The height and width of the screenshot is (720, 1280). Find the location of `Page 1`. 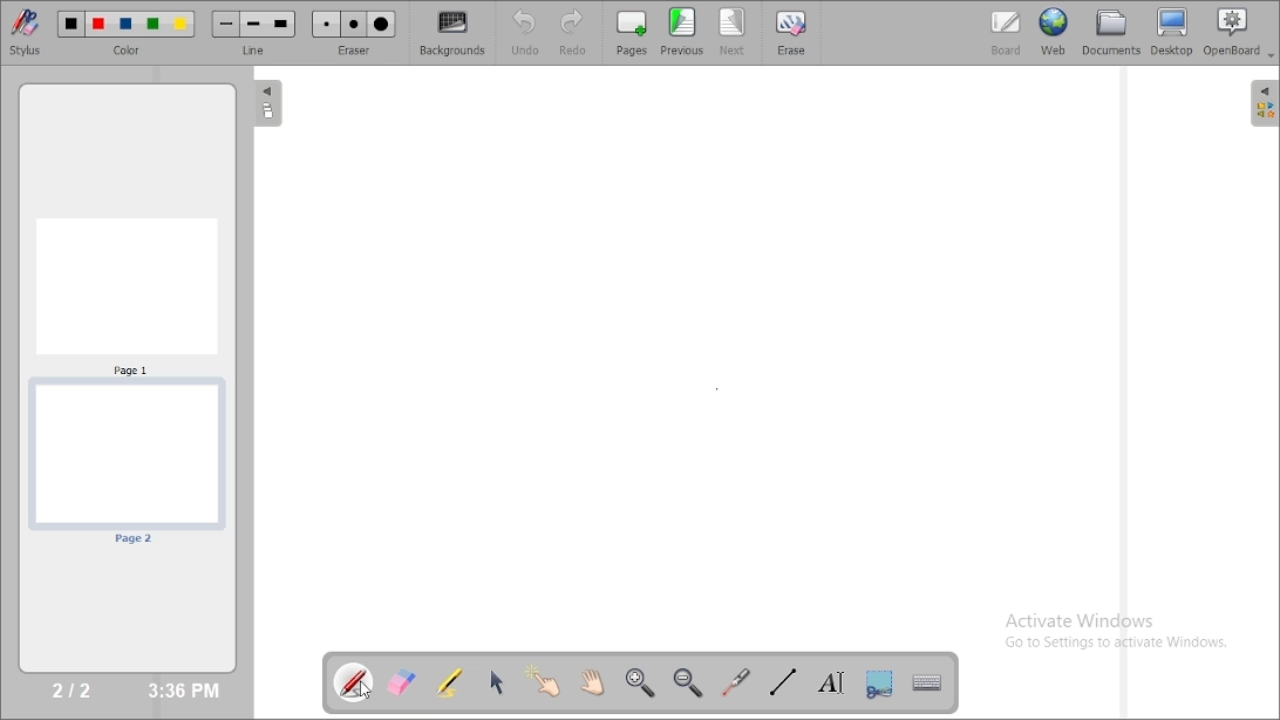

Page 1 is located at coordinates (127, 295).